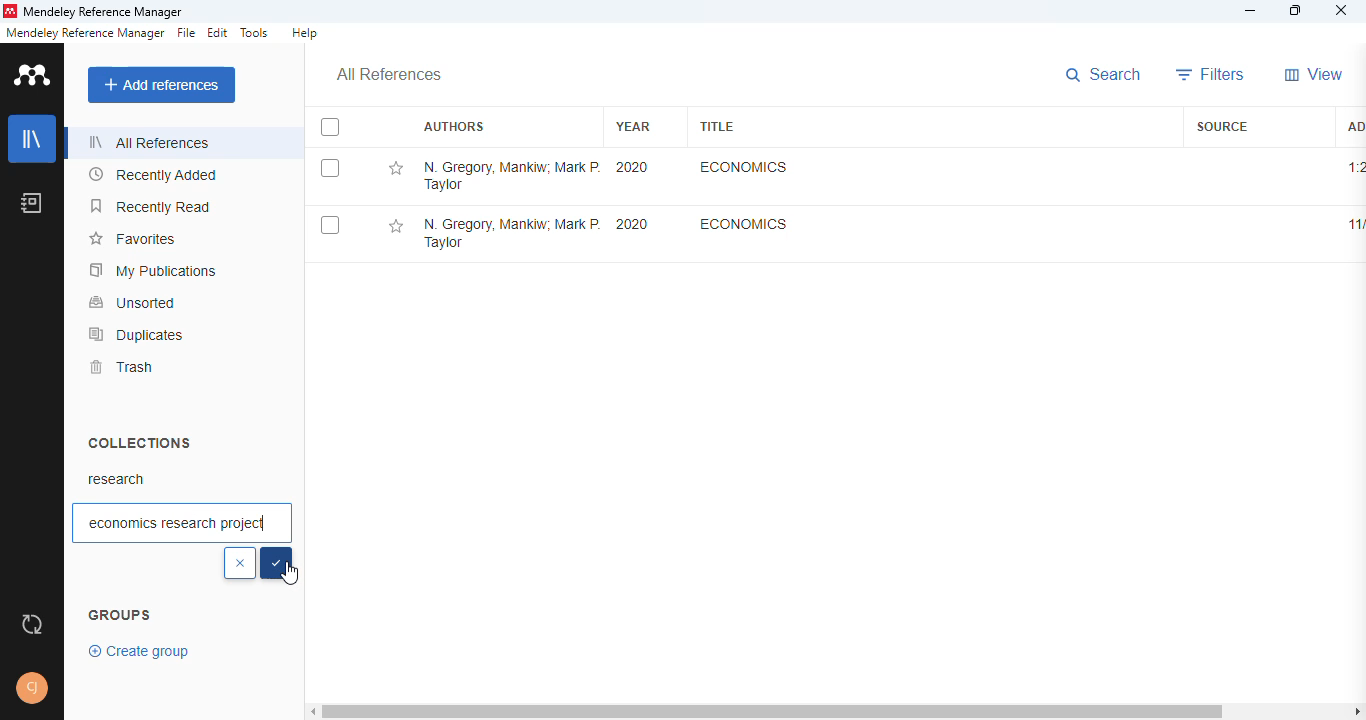 This screenshot has width=1366, height=720. What do you see at coordinates (1211, 74) in the screenshot?
I see `filters` at bounding box center [1211, 74].